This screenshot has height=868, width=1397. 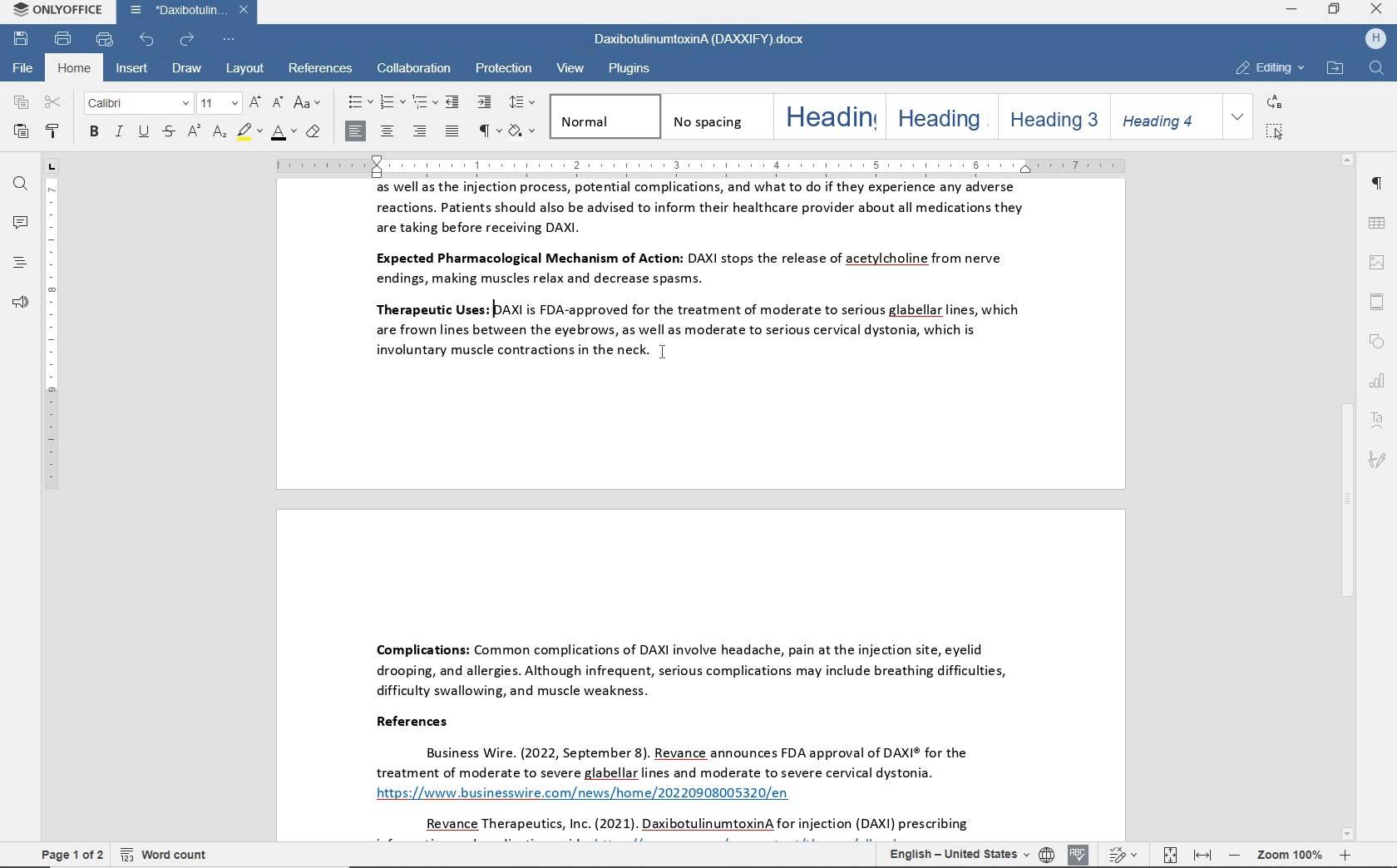 I want to click on collaboration, so click(x=412, y=70).